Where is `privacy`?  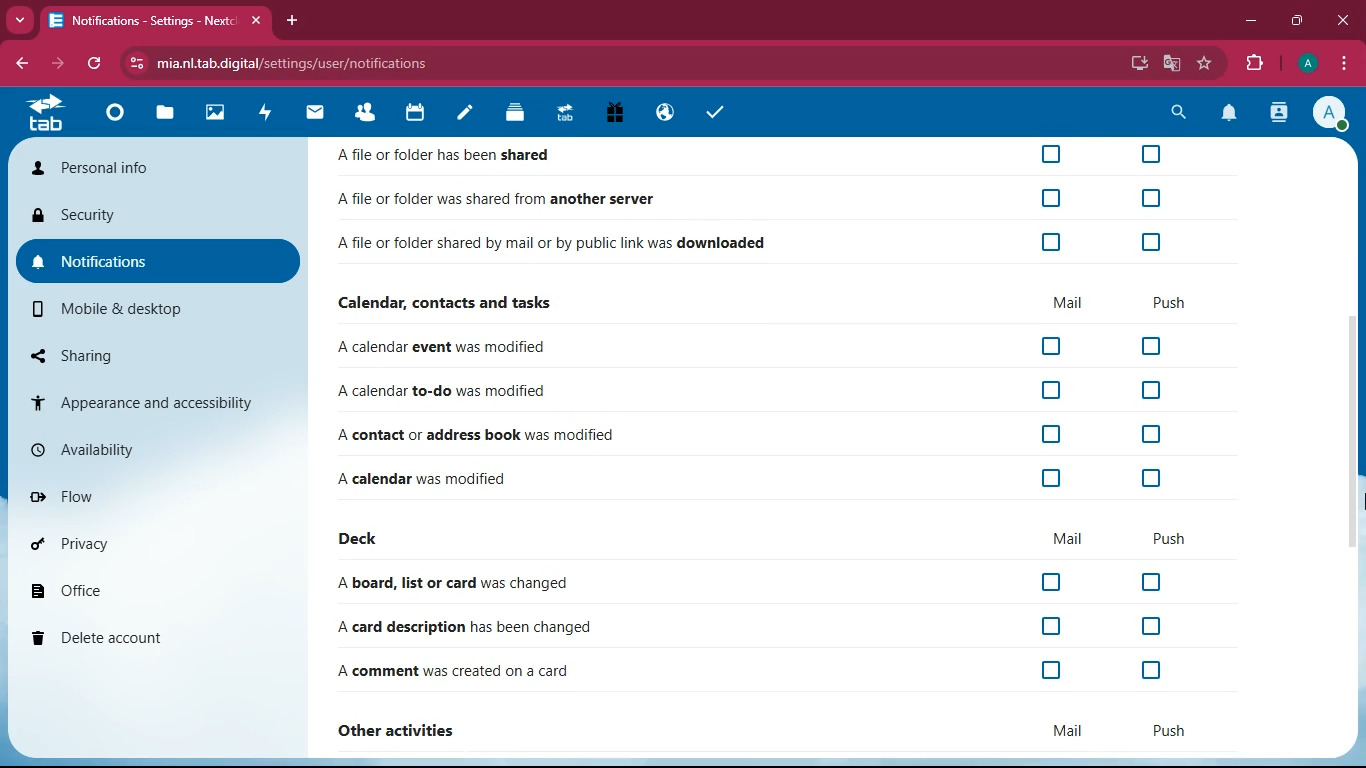 privacy is located at coordinates (155, 546).